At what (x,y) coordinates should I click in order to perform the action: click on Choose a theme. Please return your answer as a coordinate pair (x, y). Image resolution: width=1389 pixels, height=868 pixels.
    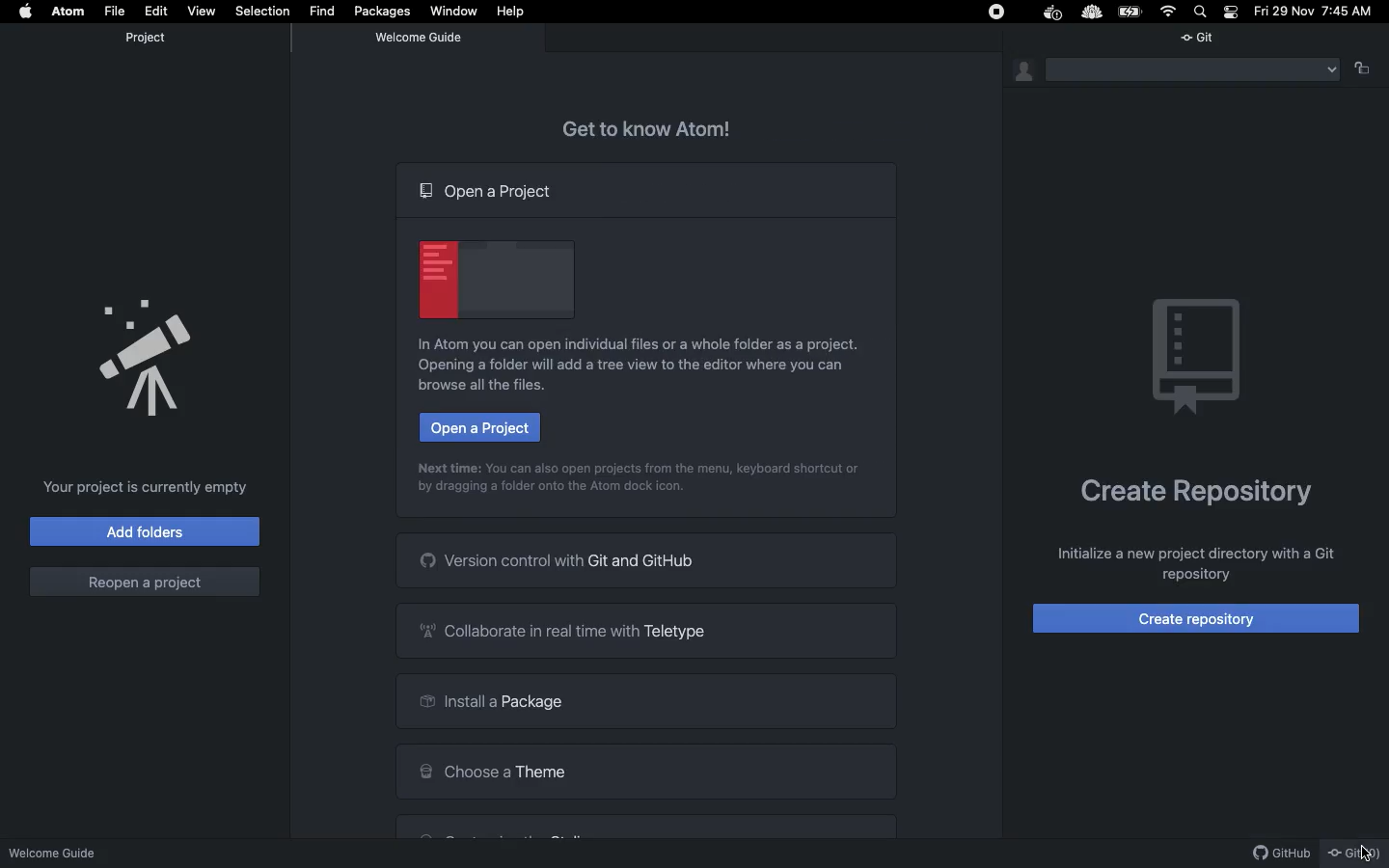
    Looking at the image, I should click on (646, 769).